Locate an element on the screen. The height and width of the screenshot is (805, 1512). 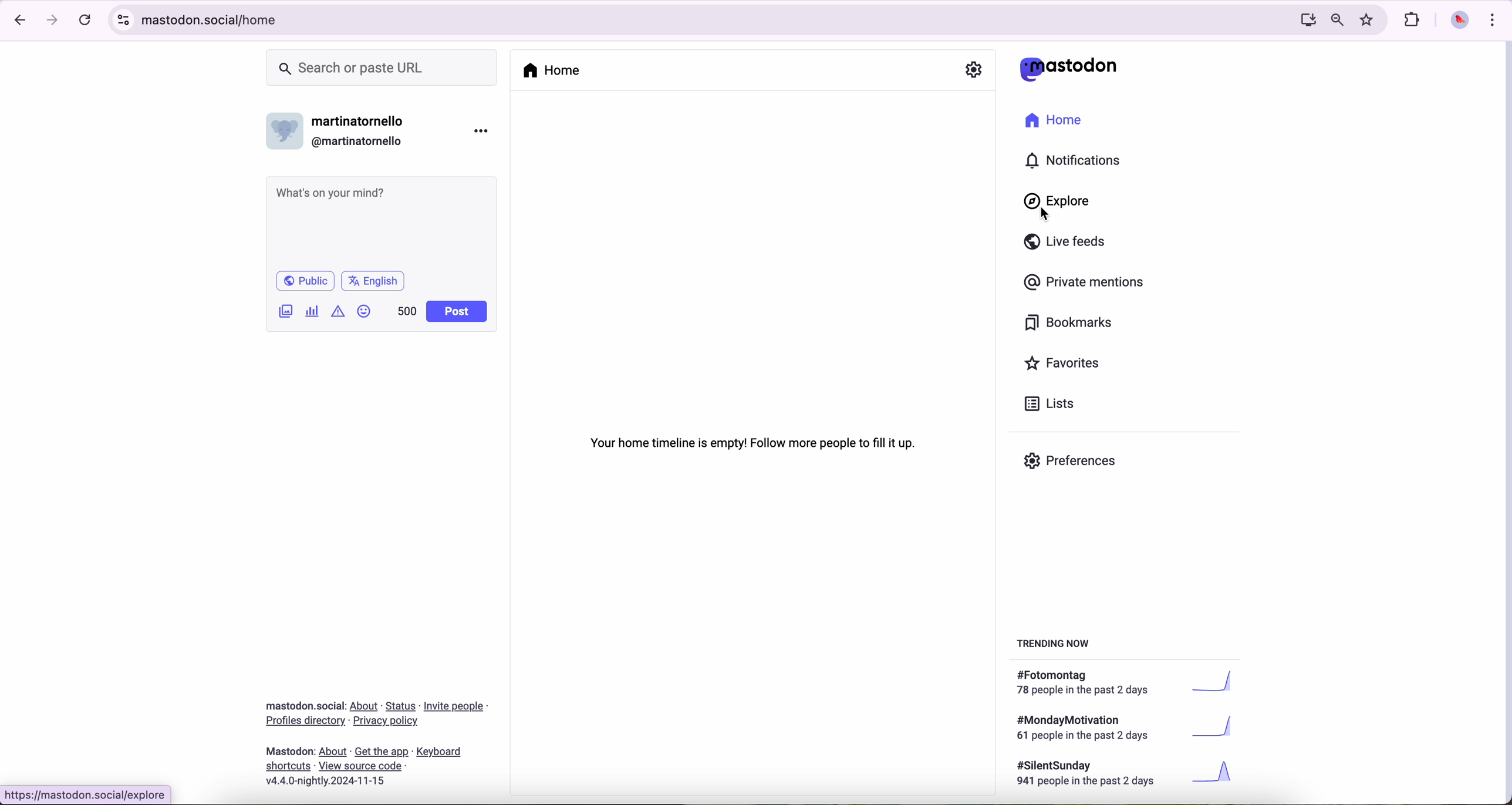
profile picture is located at coordinates (1456, 21).